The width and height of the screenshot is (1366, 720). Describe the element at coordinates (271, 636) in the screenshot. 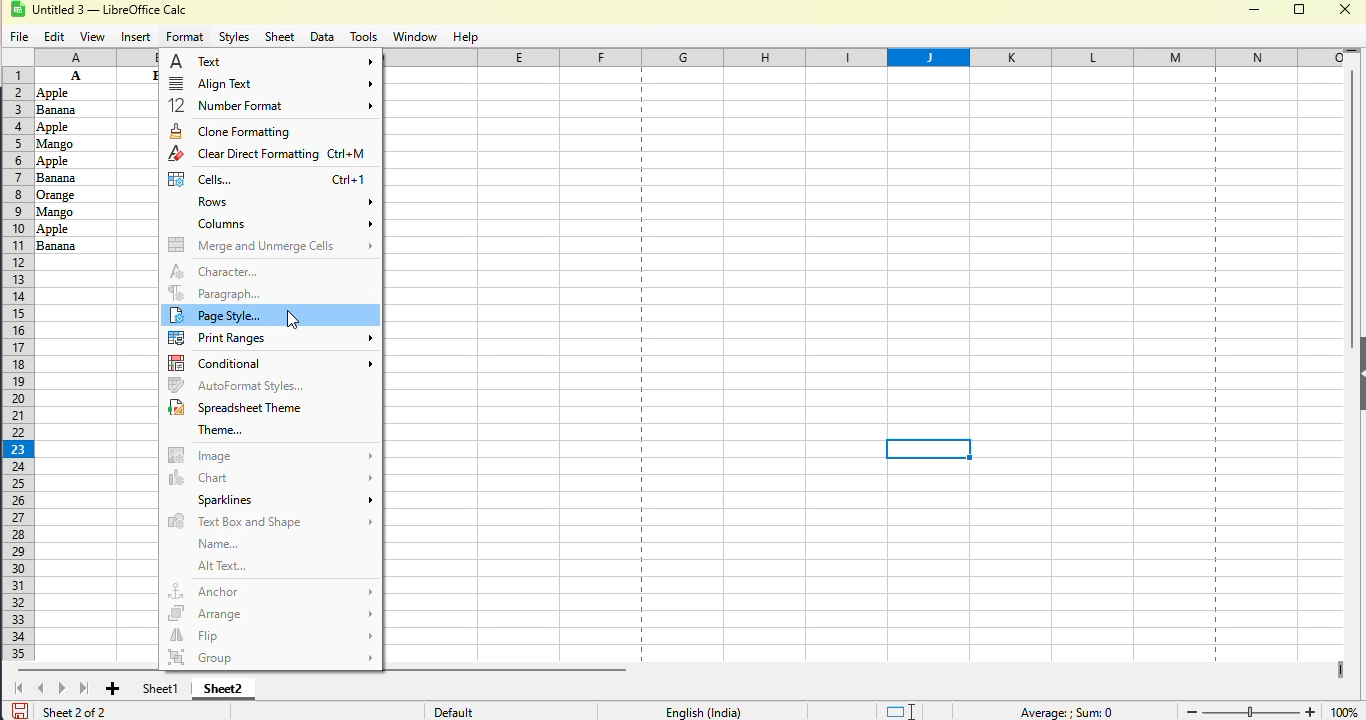

I see `flip` at that location.